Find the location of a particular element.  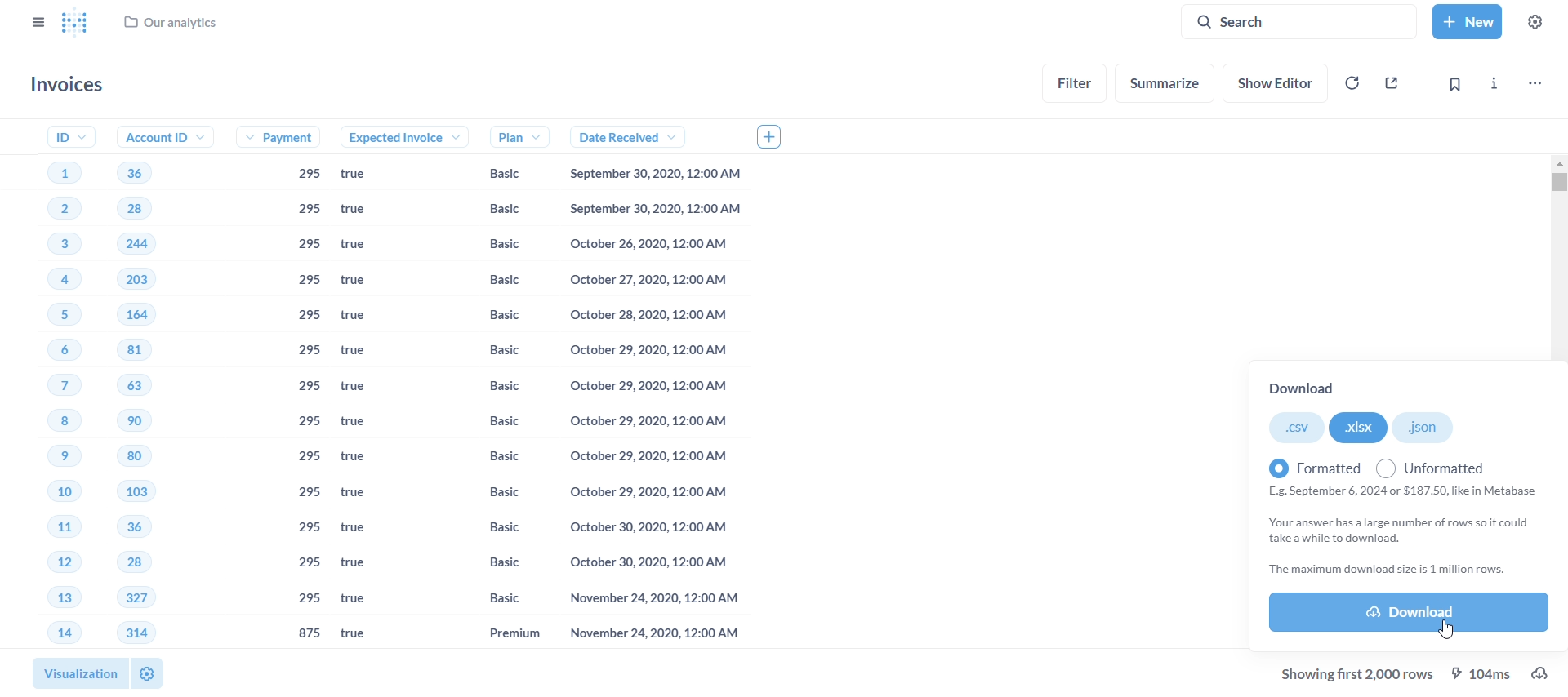

295 is located at coordinates (311, 421).